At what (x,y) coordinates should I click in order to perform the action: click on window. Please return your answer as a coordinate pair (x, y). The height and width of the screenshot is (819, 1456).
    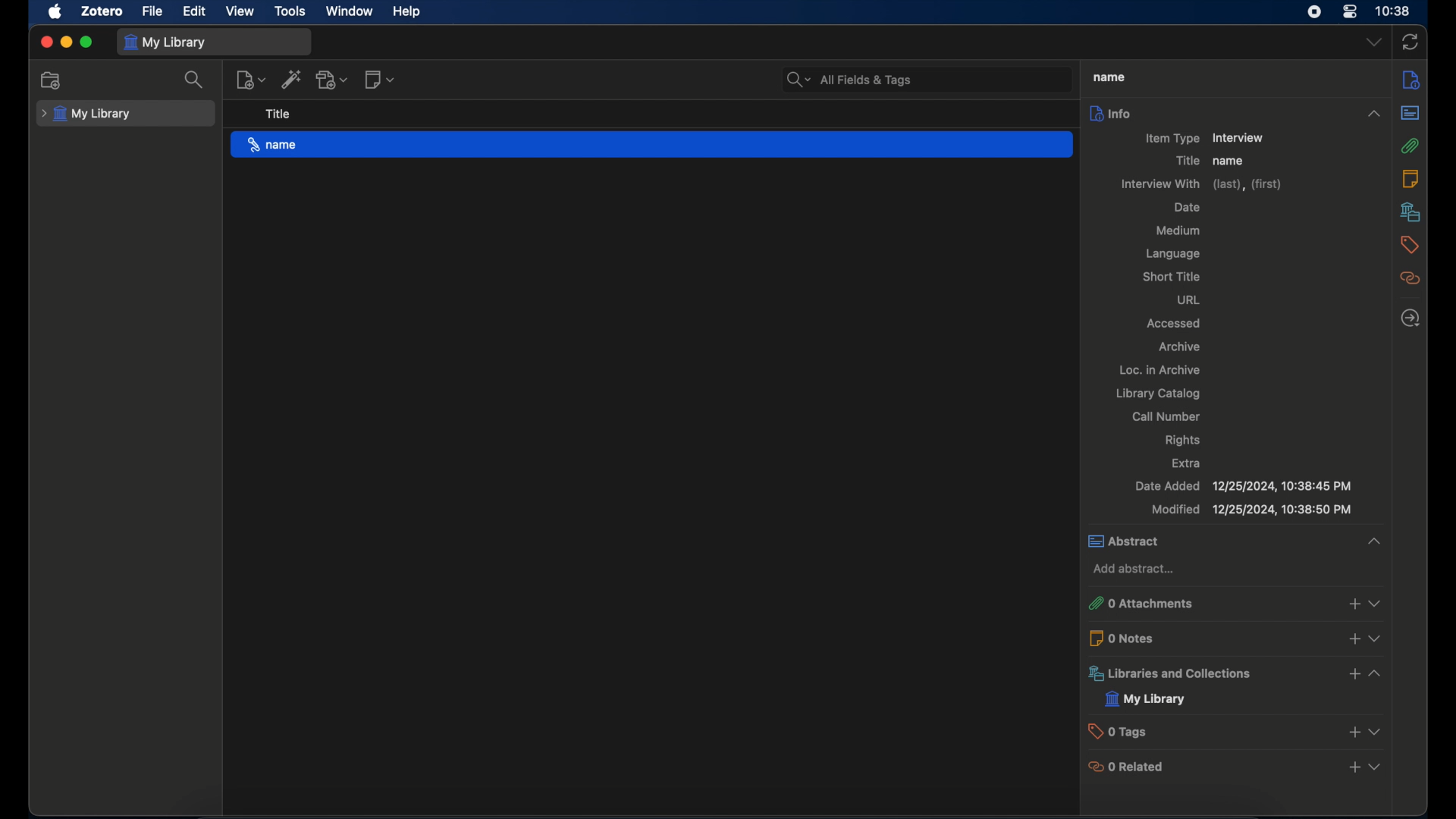
    Looking at the image, I should click on (350, 11).